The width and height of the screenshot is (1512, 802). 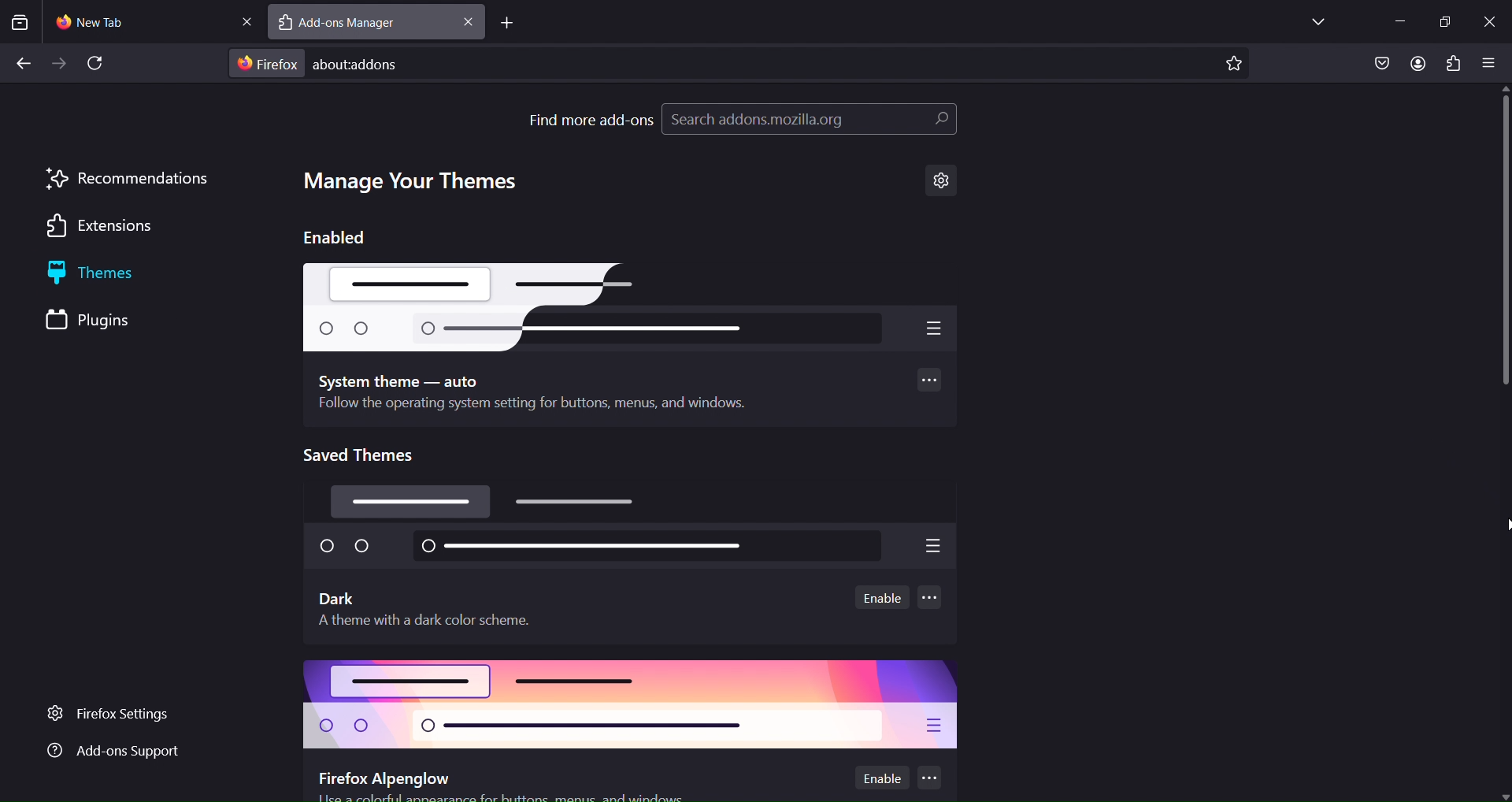 I want to click on ..., so click(x=927, y=776).